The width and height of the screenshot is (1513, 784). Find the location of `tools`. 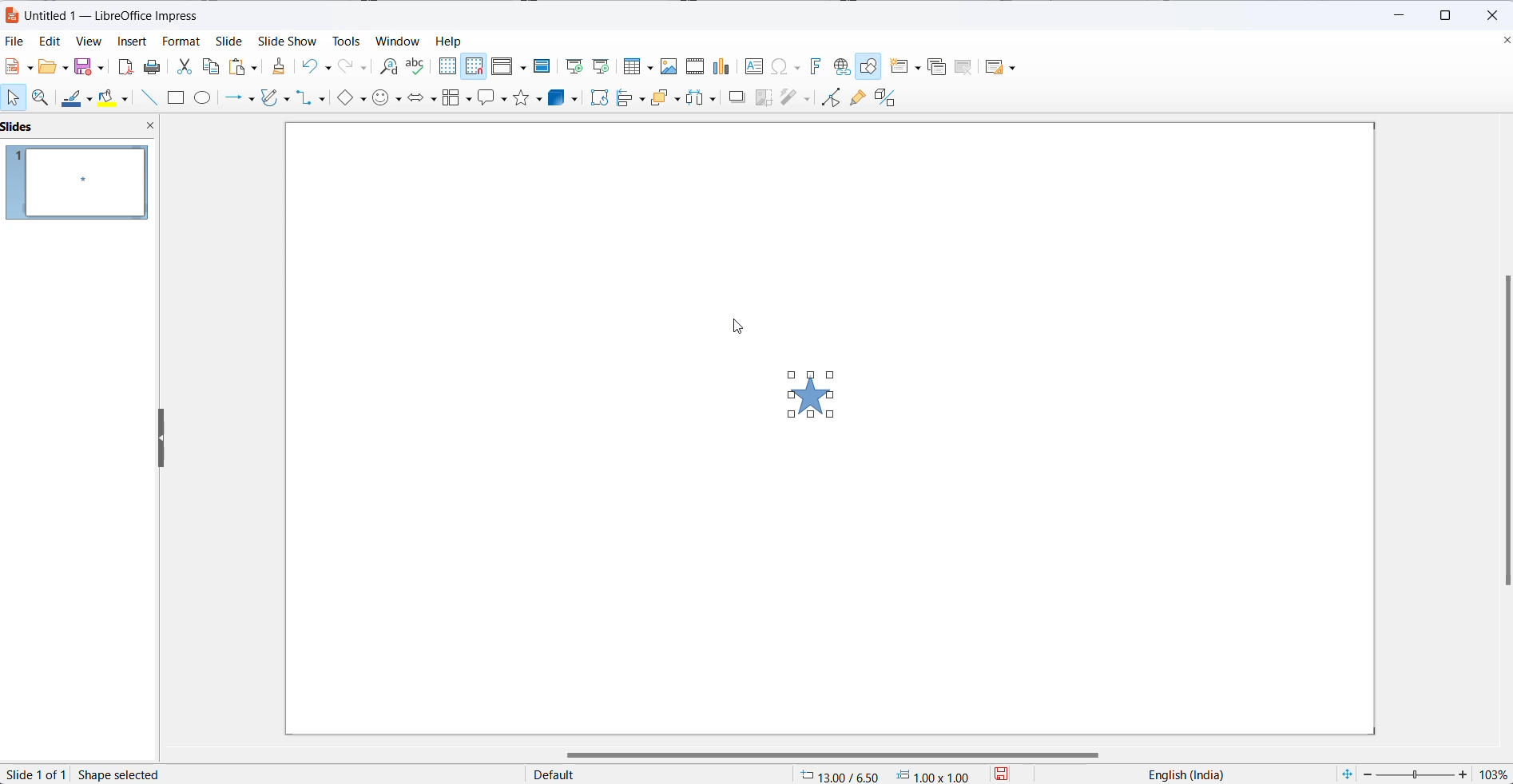

tools is located at coordinates (344, 39).